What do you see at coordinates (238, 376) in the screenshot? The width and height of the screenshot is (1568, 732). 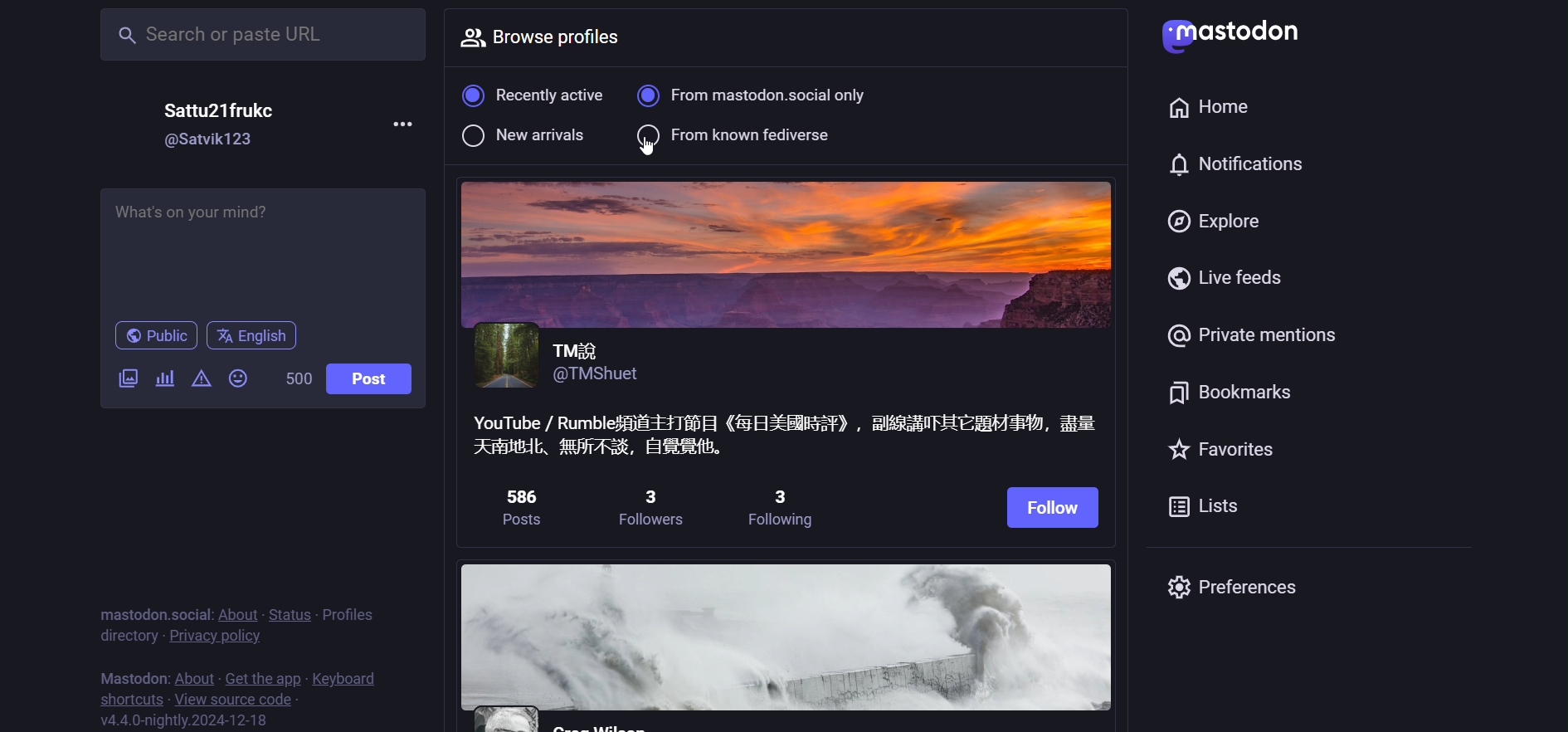 I see `emoji` at bounding box center [238, 376].